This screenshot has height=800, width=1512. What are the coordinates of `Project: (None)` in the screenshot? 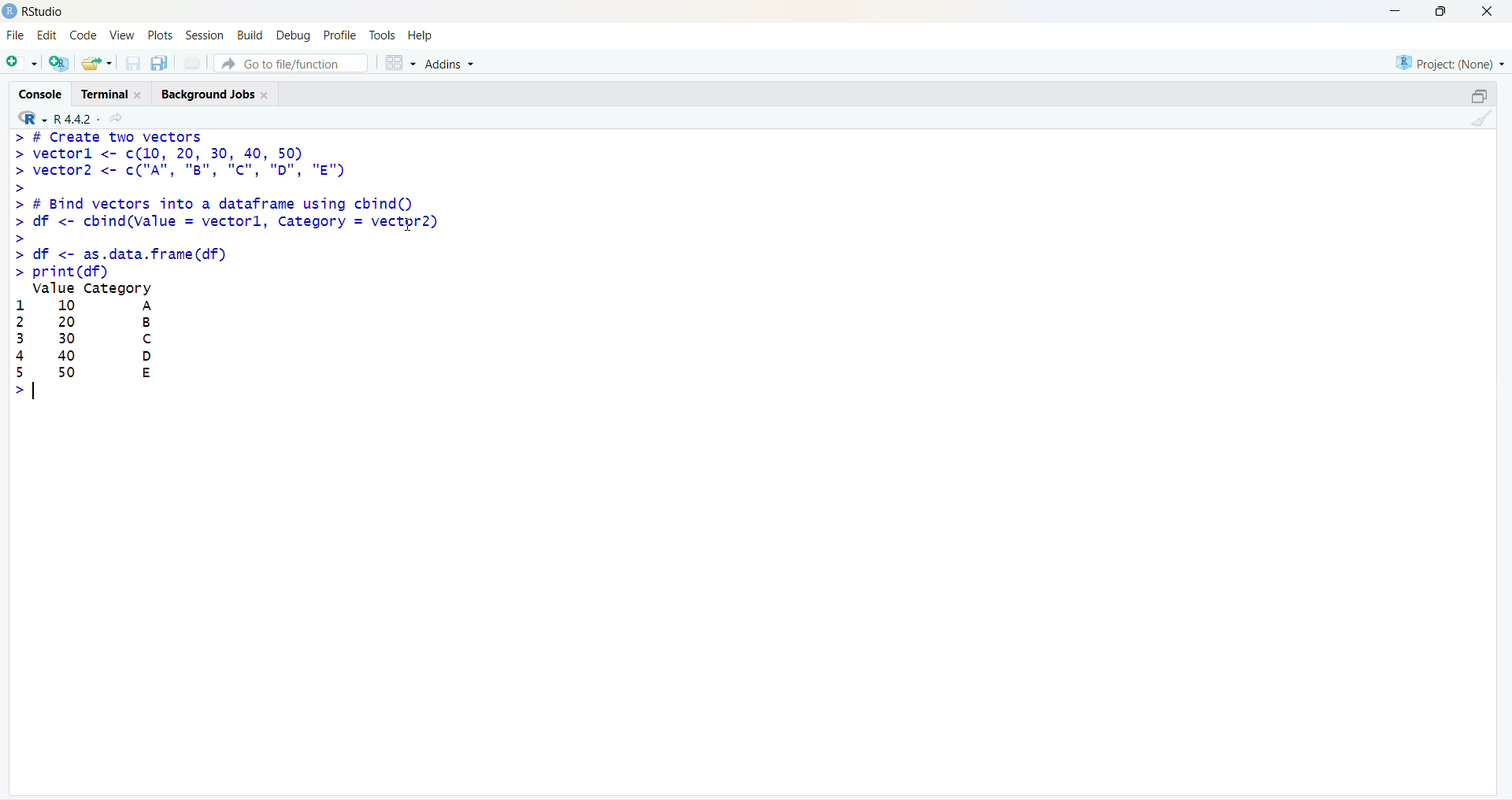 It's located at (1448, 63).